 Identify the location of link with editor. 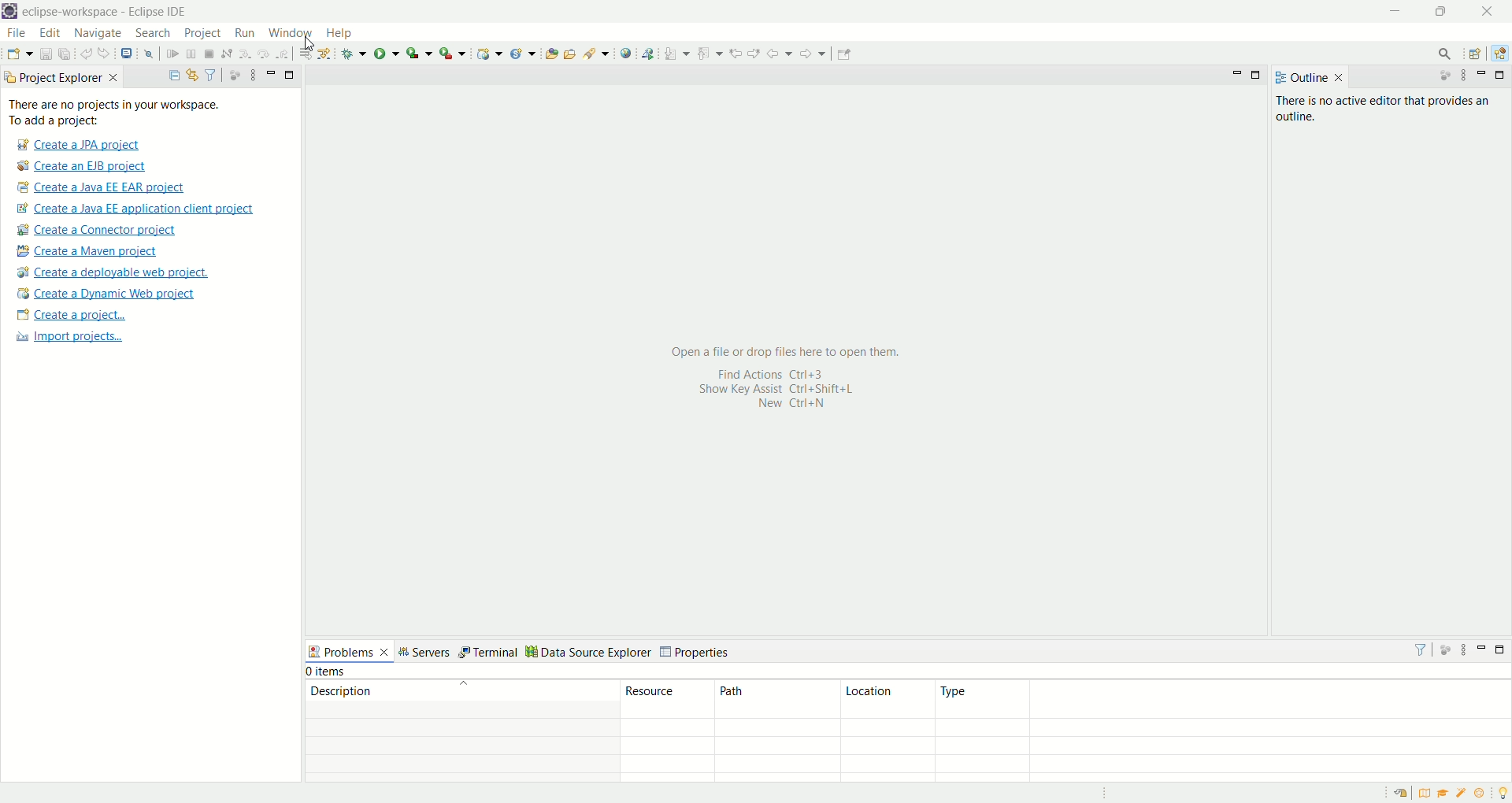
(191, 73).